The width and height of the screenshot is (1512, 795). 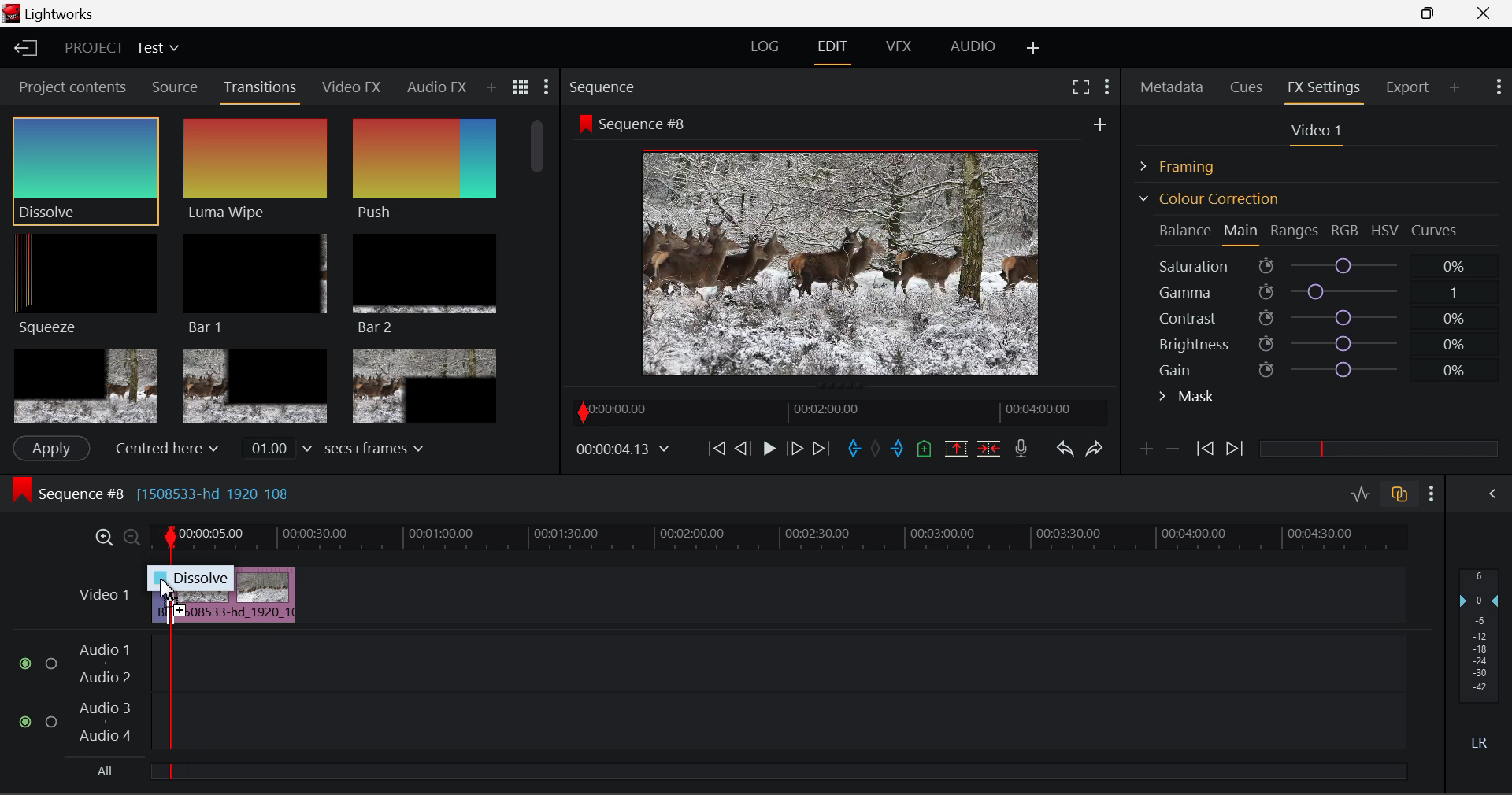 I want to click on All, so click(x=102, y=773).